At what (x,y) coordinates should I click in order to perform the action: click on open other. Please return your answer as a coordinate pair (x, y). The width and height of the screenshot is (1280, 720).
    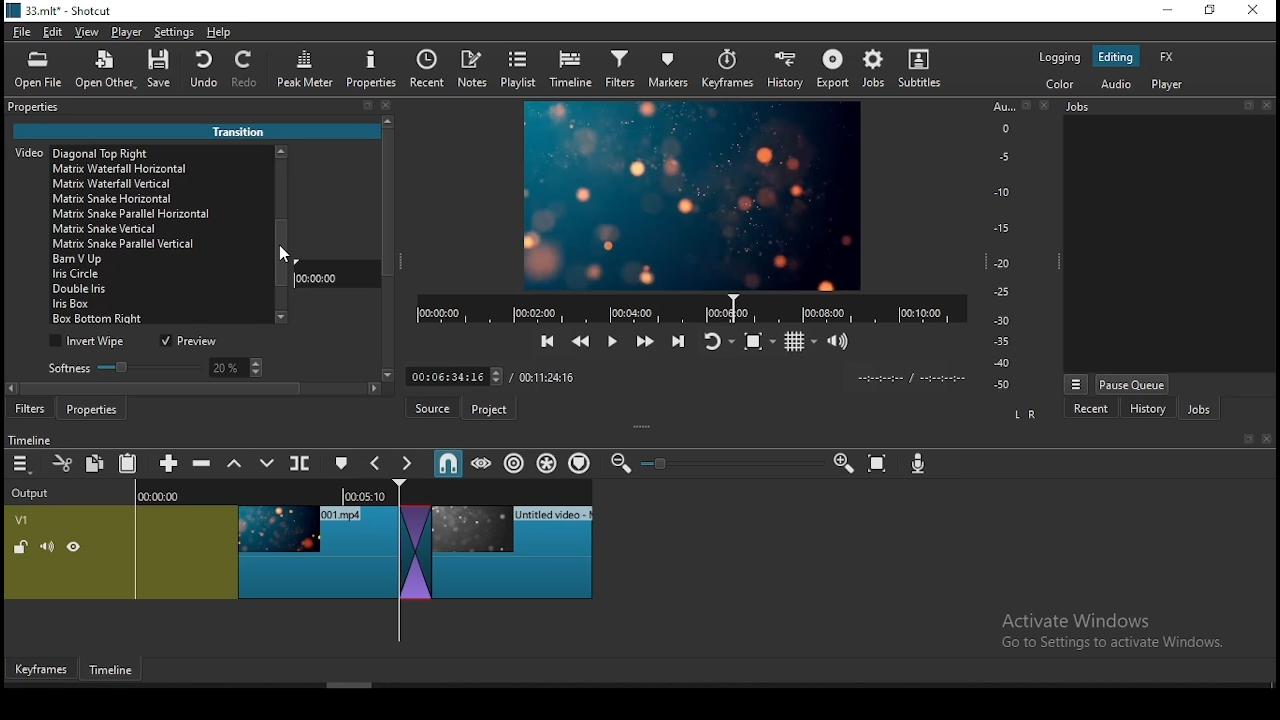
    Looking at the image, I should click on (107, 74).